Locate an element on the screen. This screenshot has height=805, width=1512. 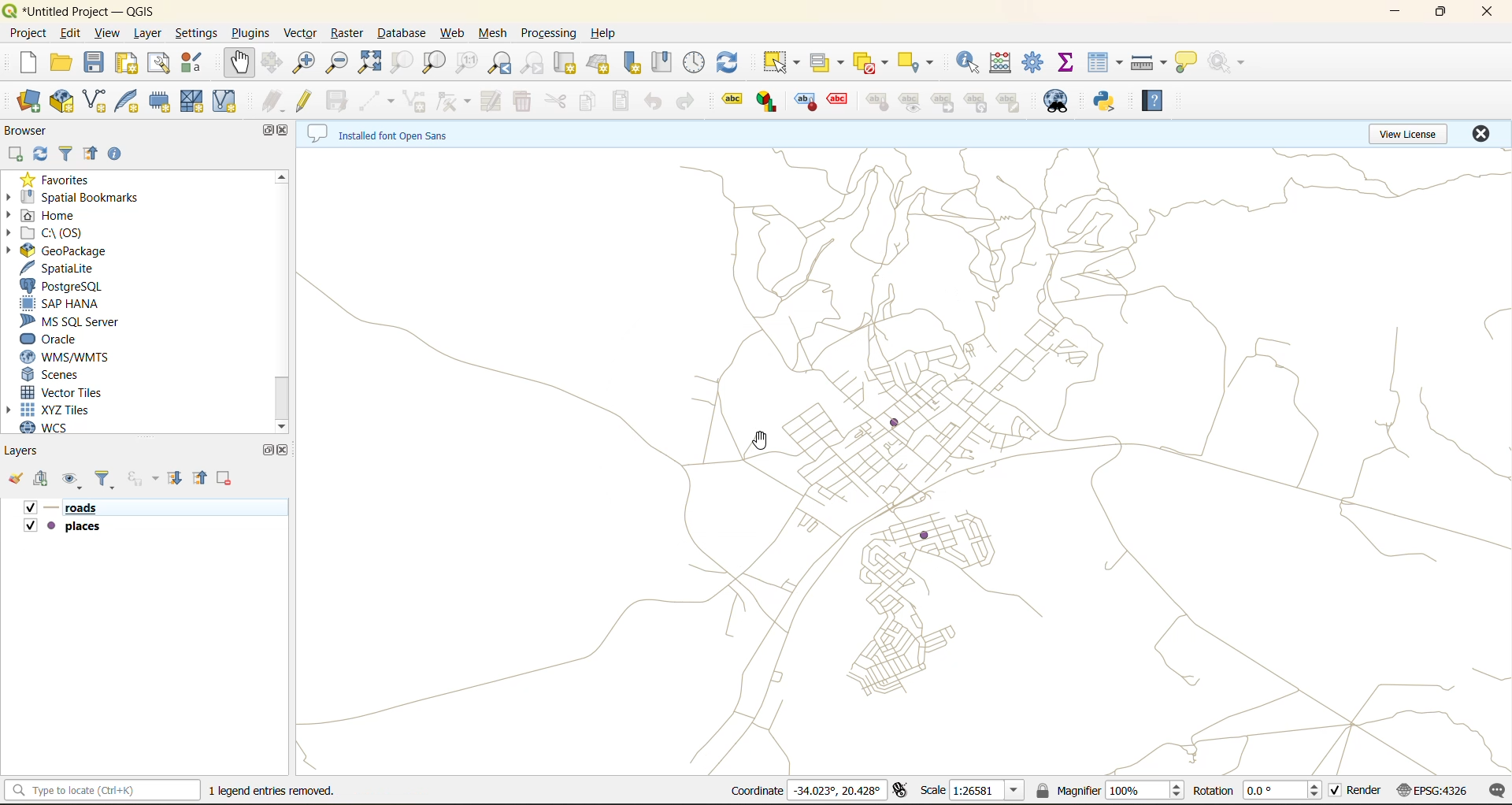
layer is located at coordinates (147, 34).